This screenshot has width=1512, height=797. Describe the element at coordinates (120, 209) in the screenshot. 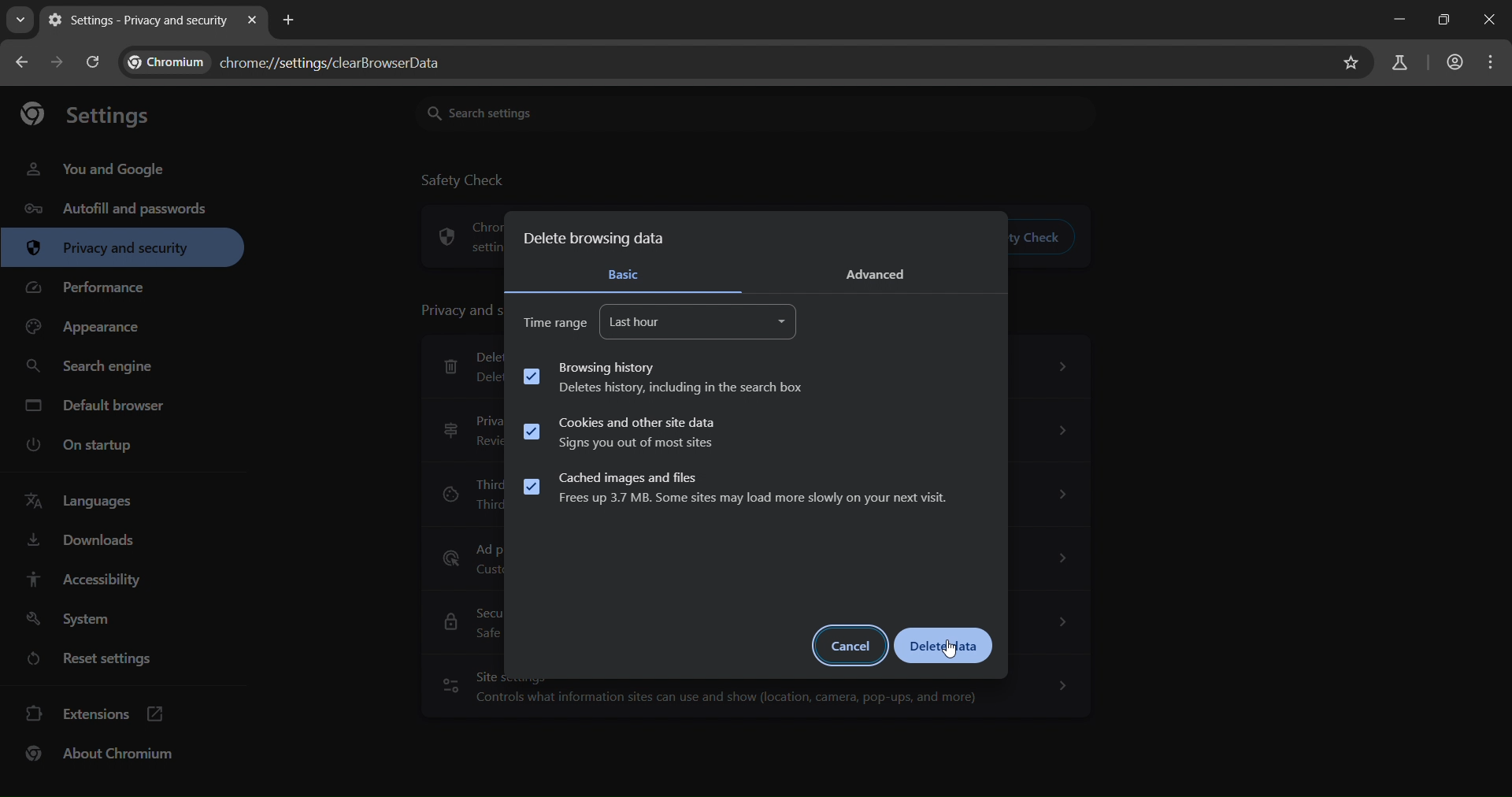

I see `autofill and passwords` at that location.